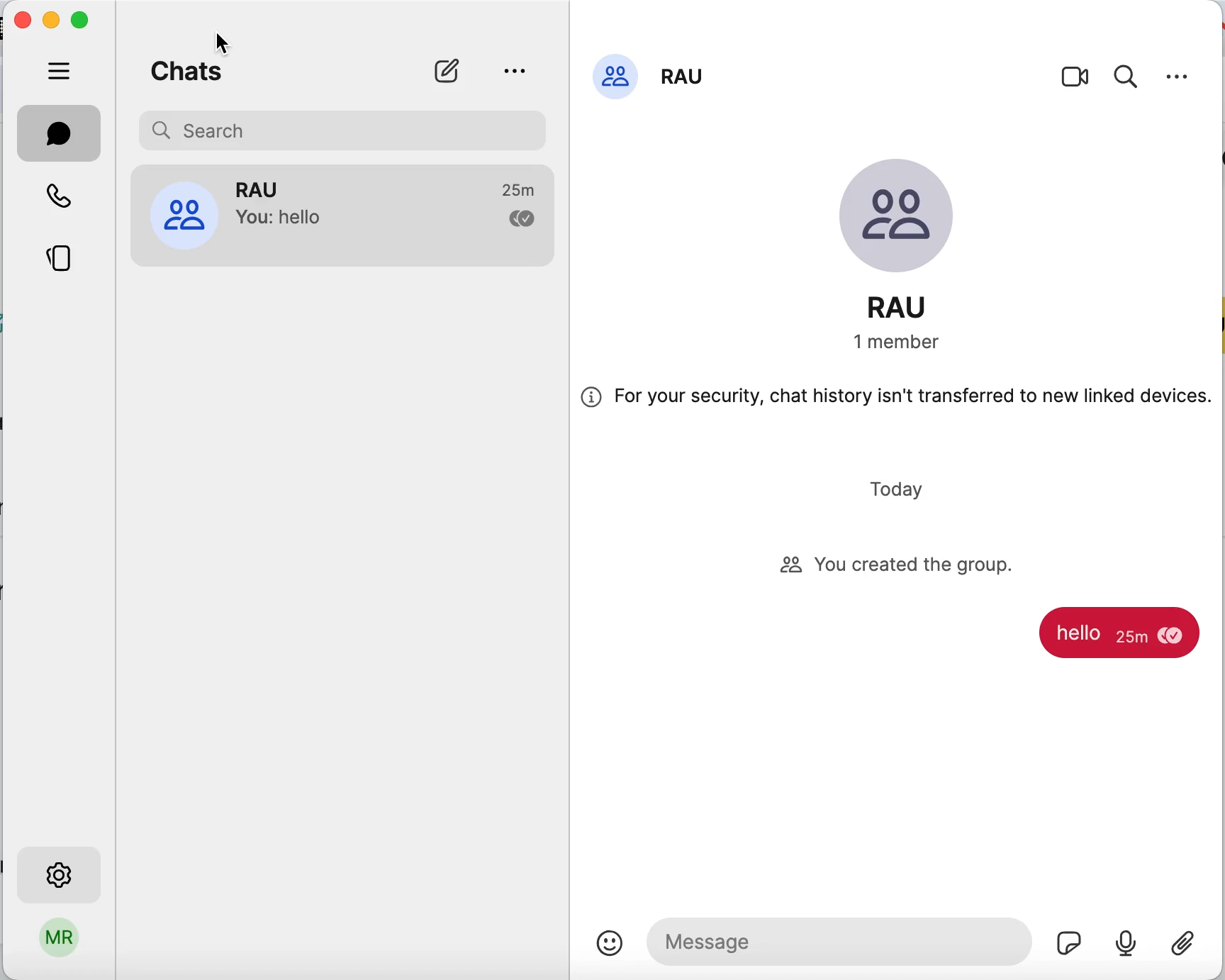  Describe the element at coordinates (224, 38) in the screenshot. I see `cursor` at that location.